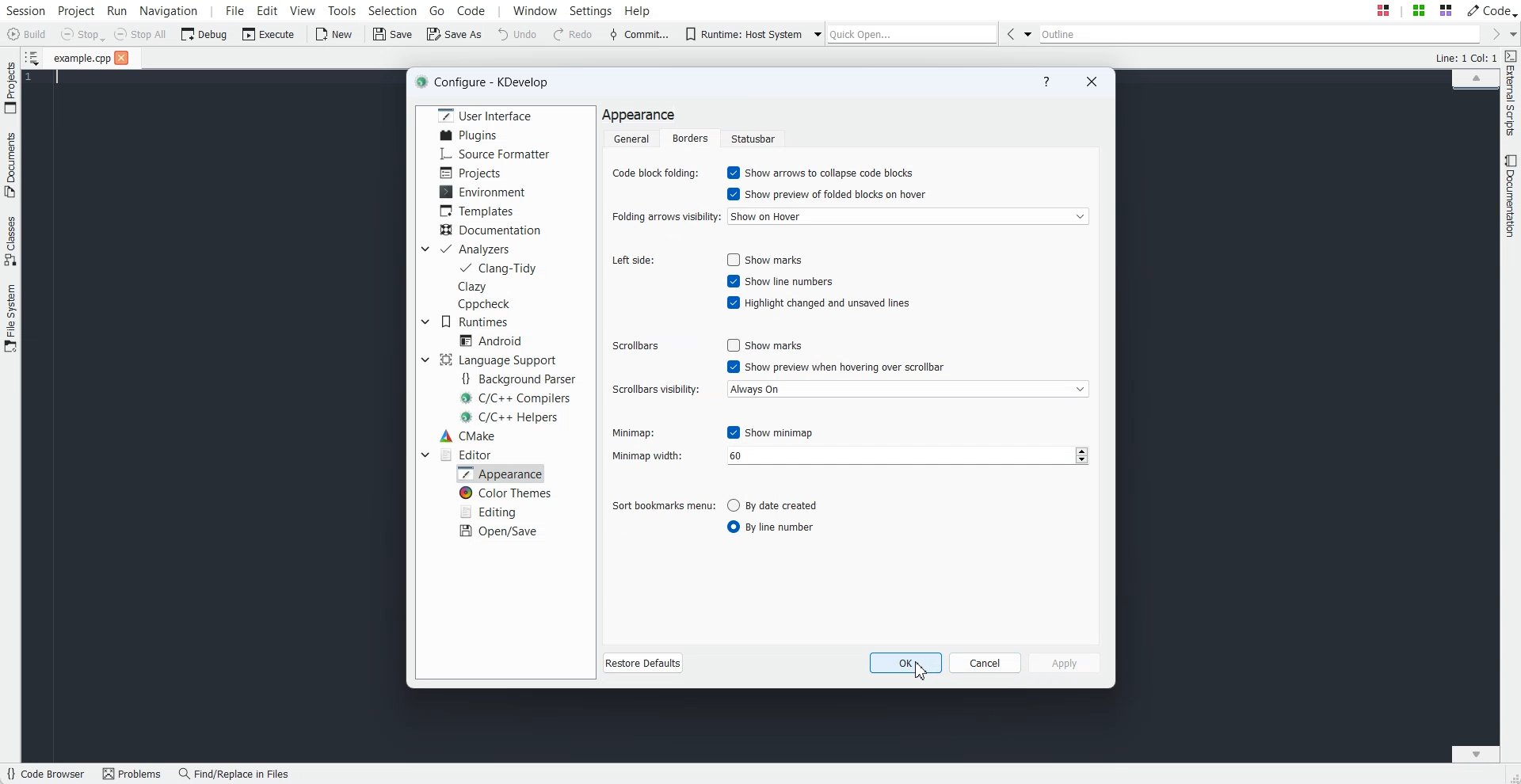 The width and height of the screenshot is (1521, 784). What do you see at coordinates (828, 194) in the screenshot?
I see `Enable show preview of folded blocks on hover` at bounding box center [828, 194].